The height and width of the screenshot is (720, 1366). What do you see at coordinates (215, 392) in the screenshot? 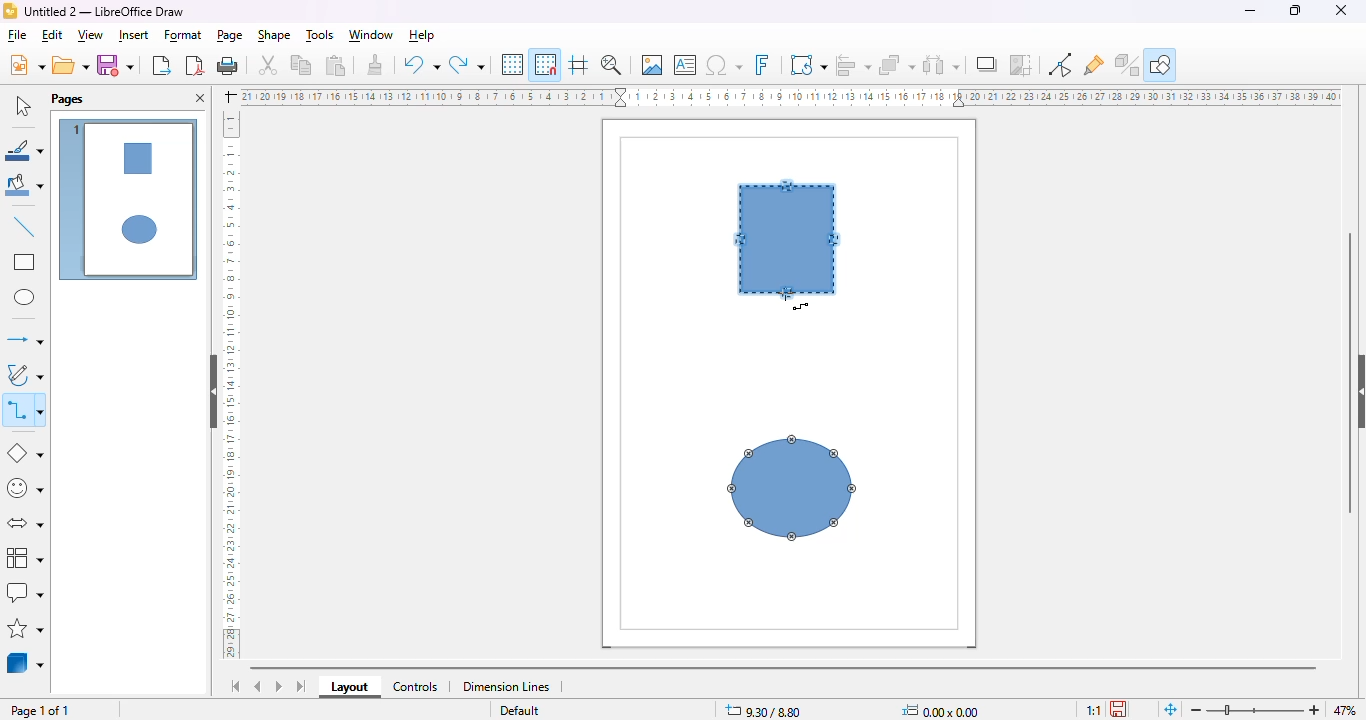
I see `hide` at bounding box center [215, 392].